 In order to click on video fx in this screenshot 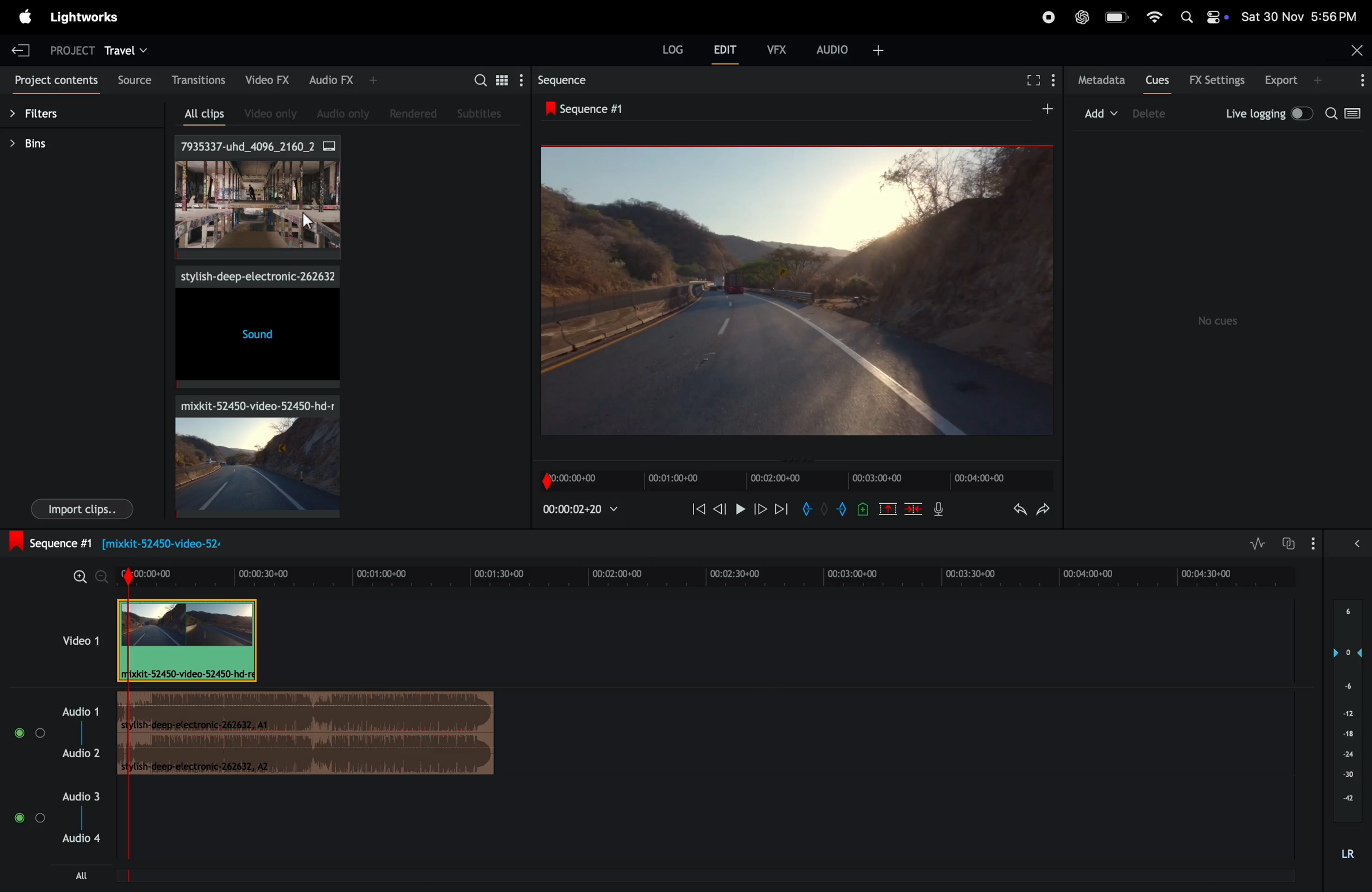, I will do `click(269, 80)`.